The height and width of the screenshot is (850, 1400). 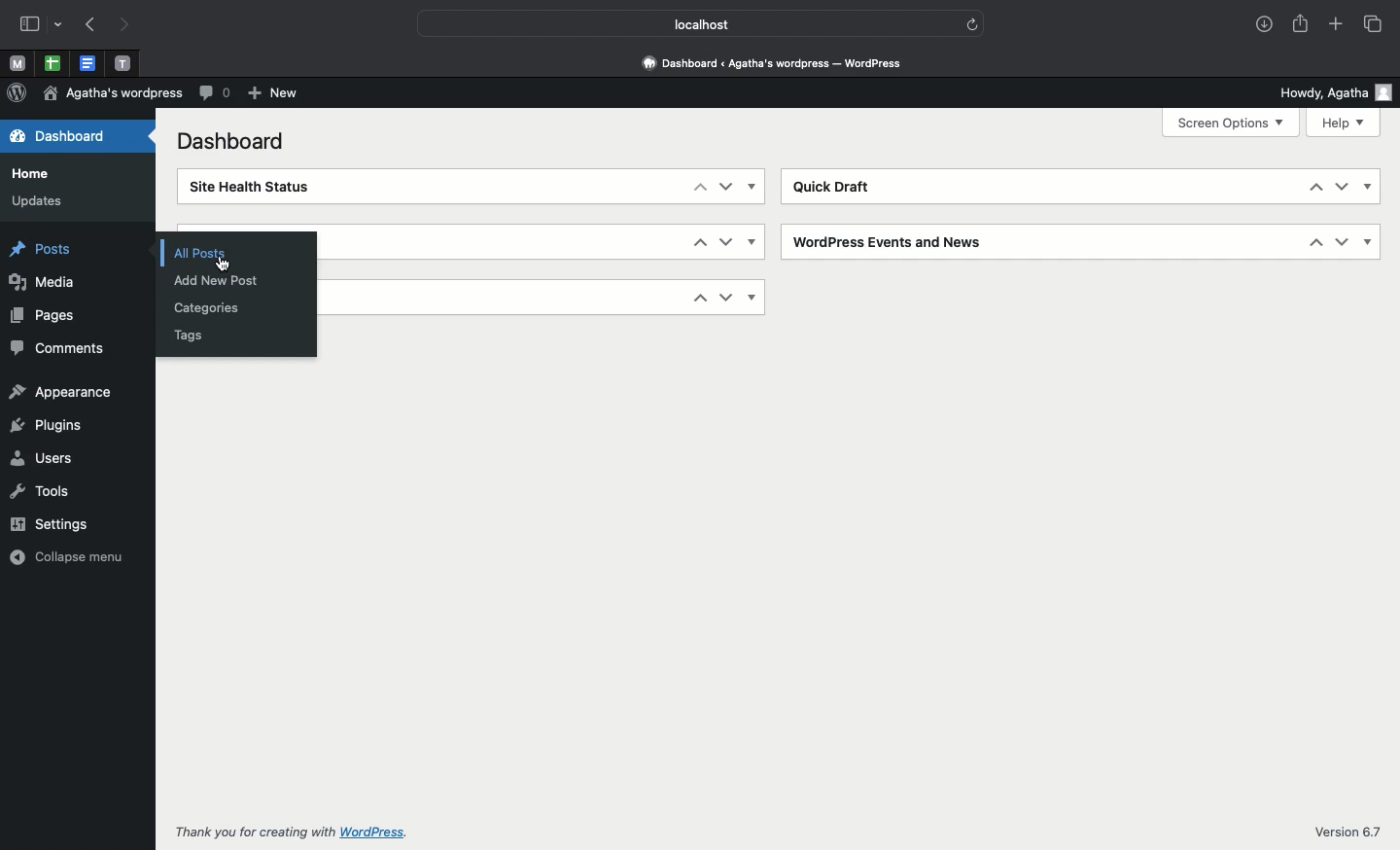 I want to click on Wordpress, so click(x=17, y=93).